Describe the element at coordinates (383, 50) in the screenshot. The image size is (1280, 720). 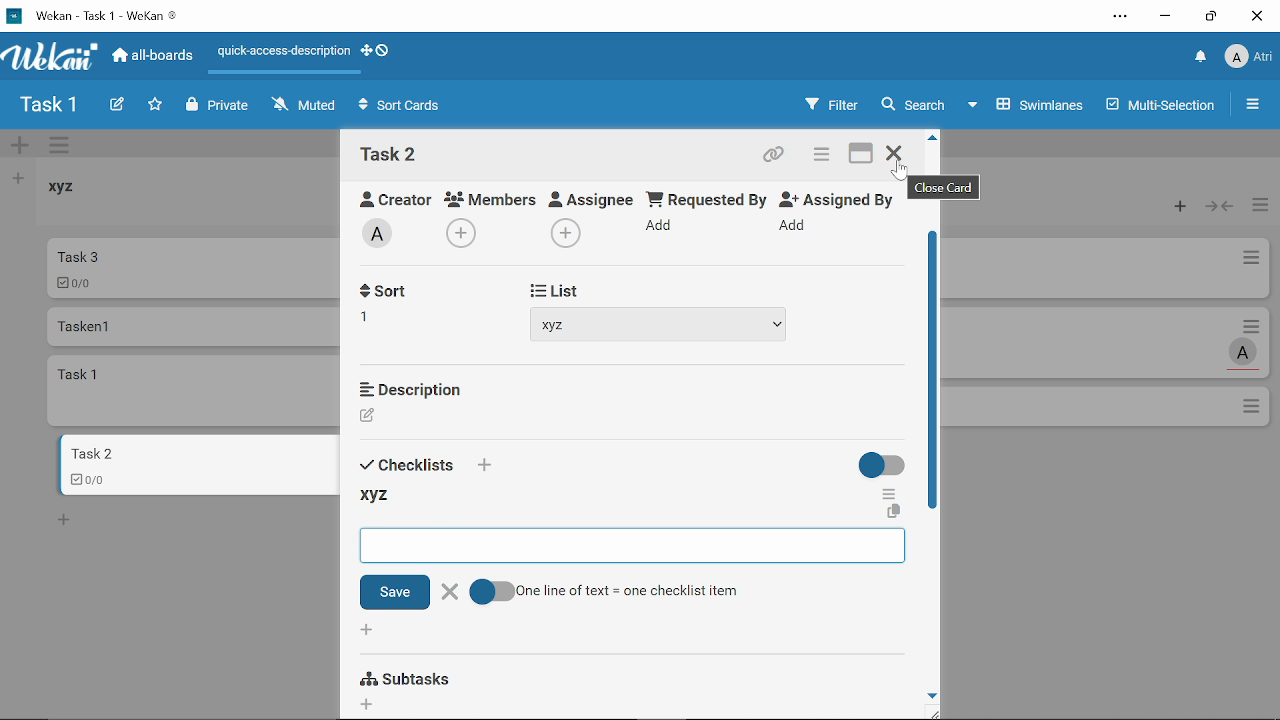
I see `Show desktop drag handlws` at that location.